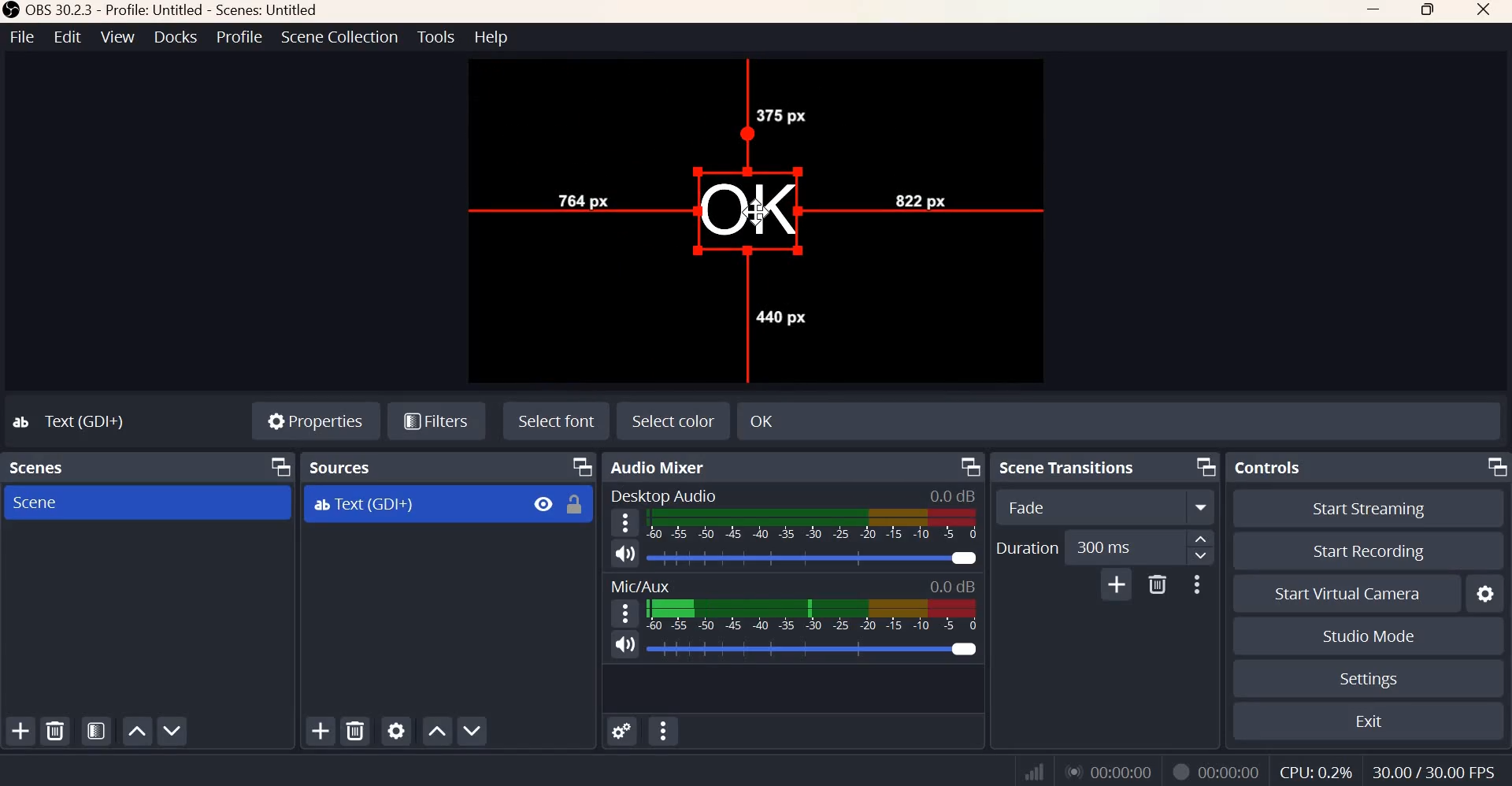 This screenshot has width=1512, height=786. What do you see at coordinates (1201, 556) in the screenshot?
I see `decrease duration` at bounding box center [1201, 556].